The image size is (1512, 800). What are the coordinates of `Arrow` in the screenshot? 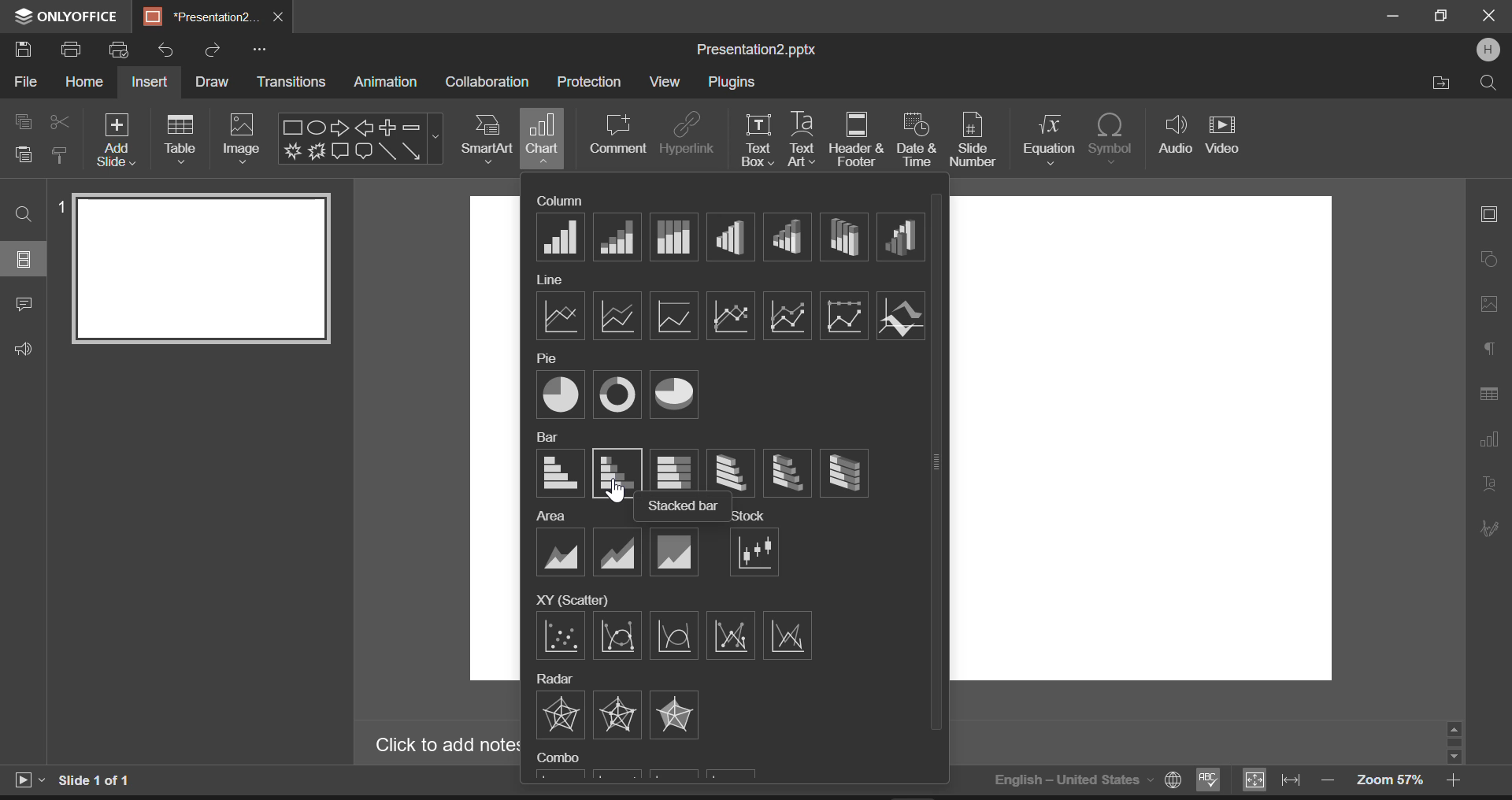 It's located at (413, 150).